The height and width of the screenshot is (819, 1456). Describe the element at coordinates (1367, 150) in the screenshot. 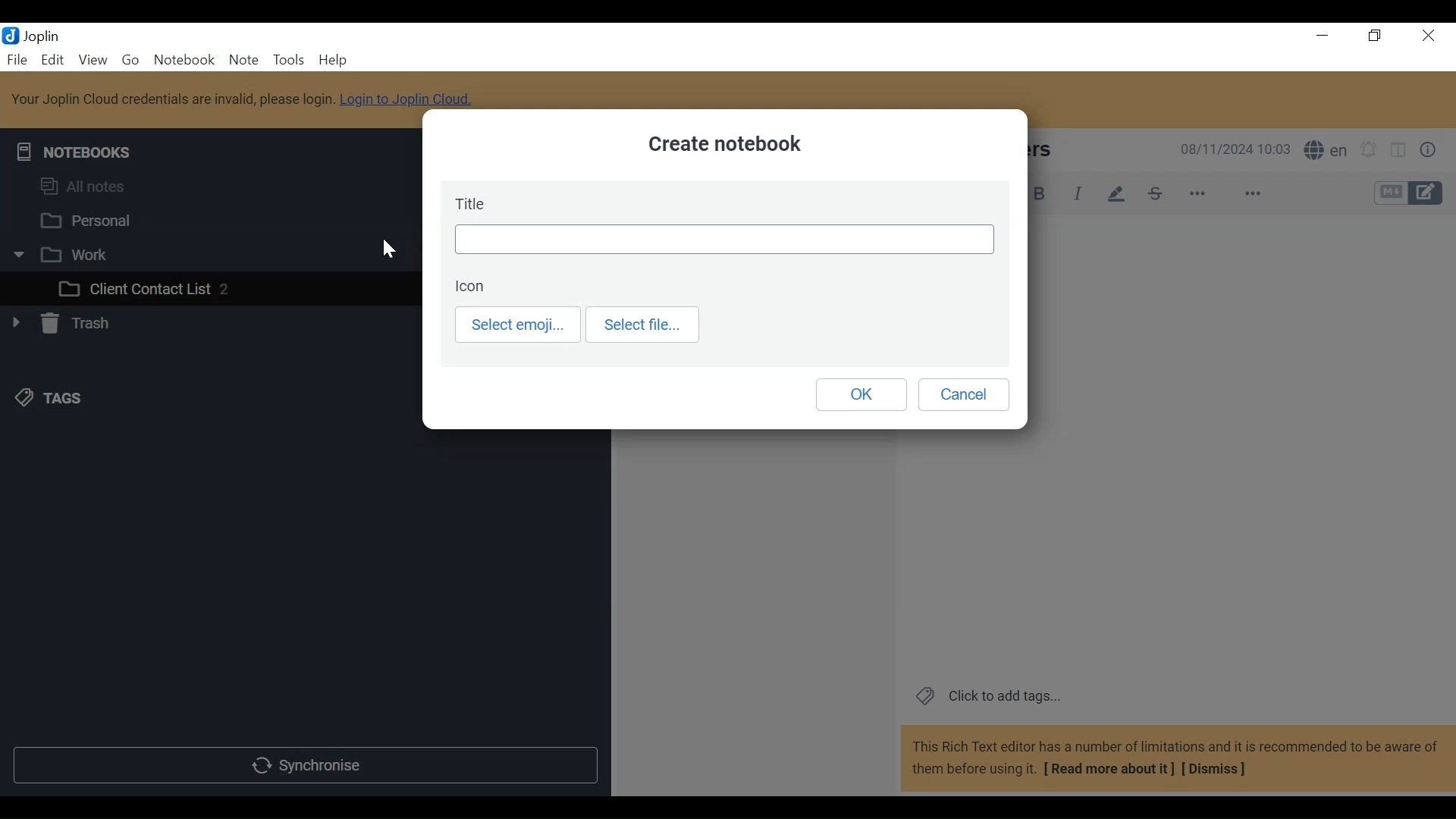

I see `set alarm` at that location.